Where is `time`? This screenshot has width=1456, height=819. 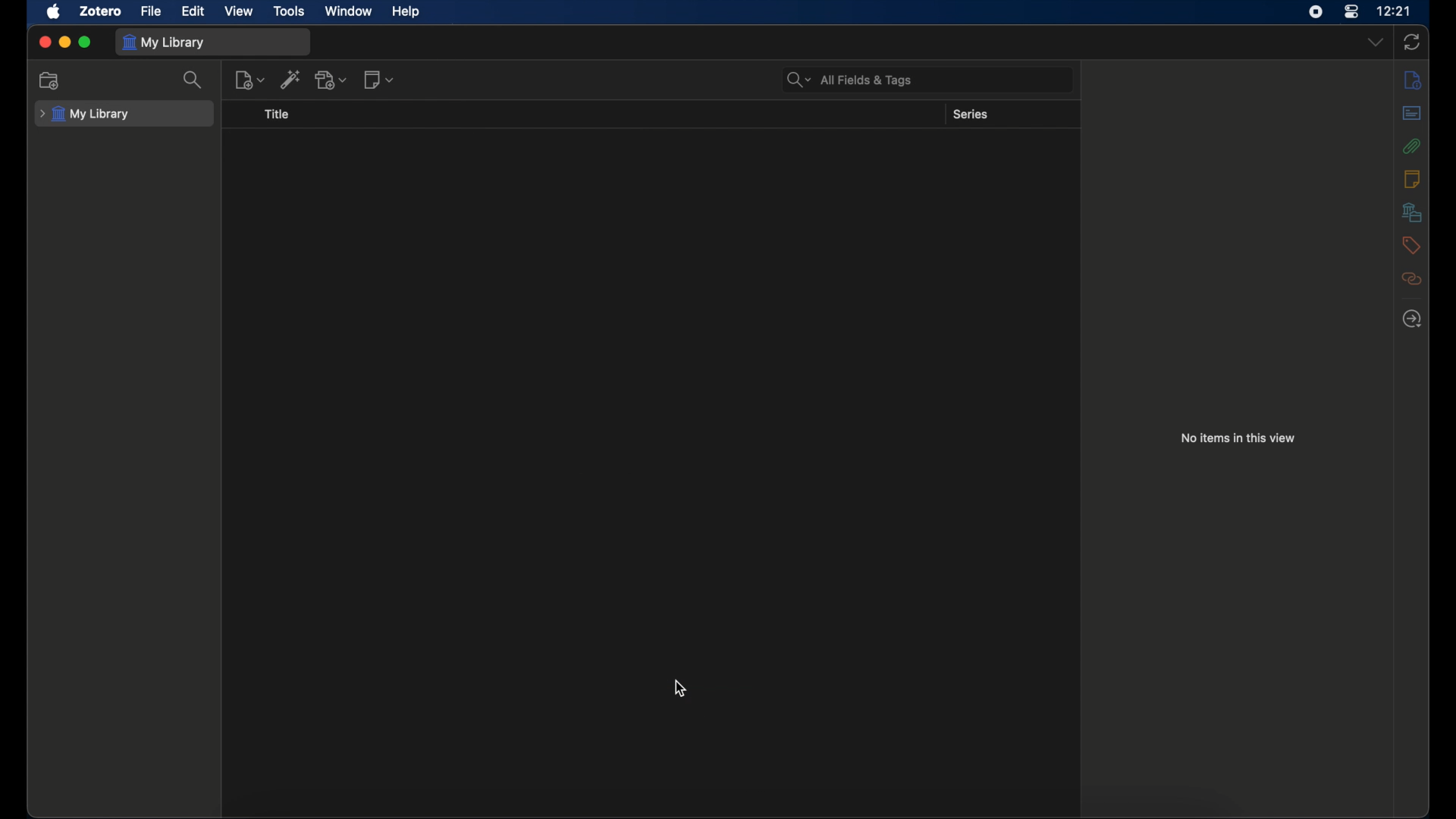
time is located at coordinates (1394, 10).